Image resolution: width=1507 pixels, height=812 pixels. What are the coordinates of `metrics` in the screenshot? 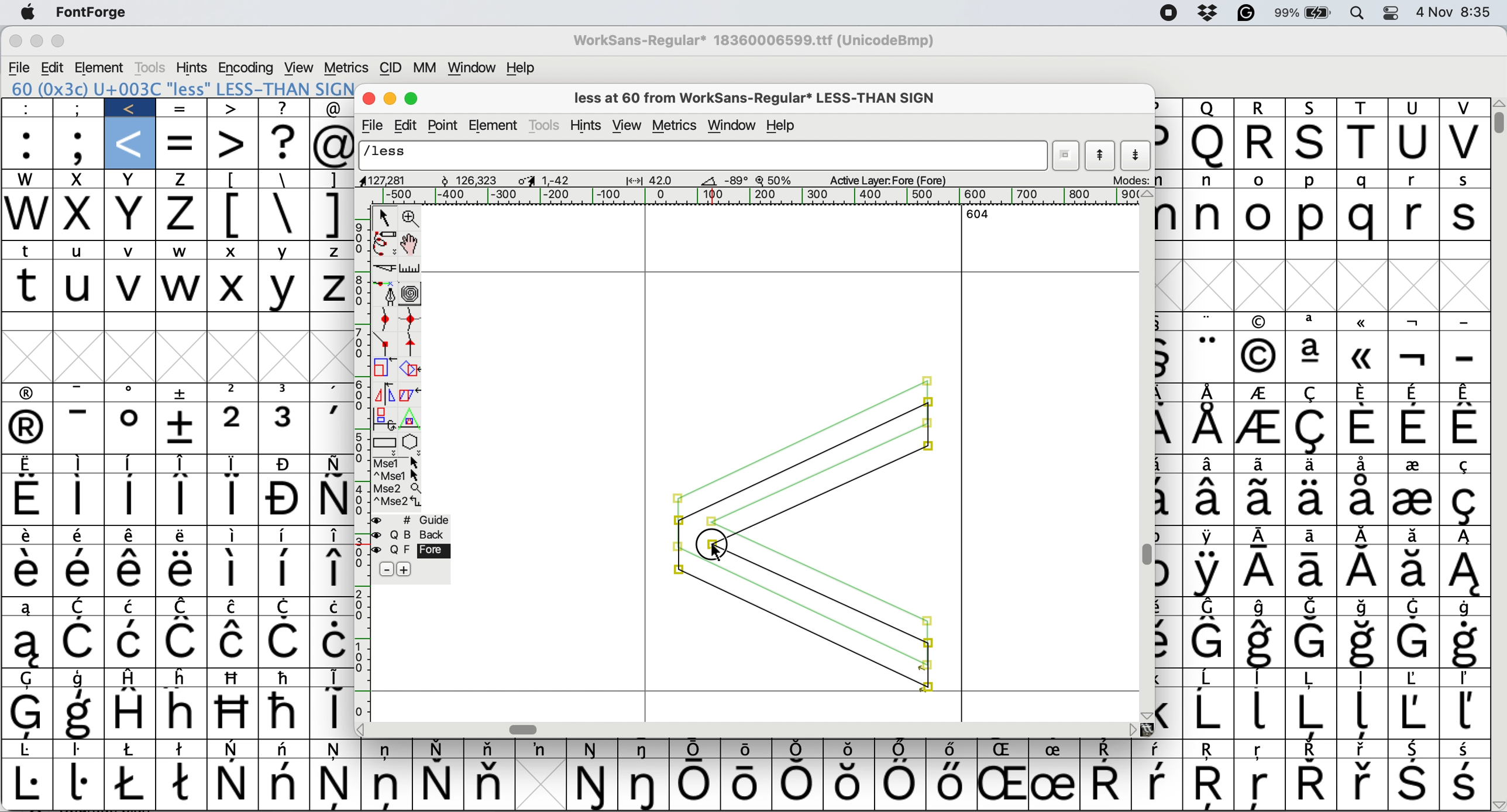 It's located at (346, 68).